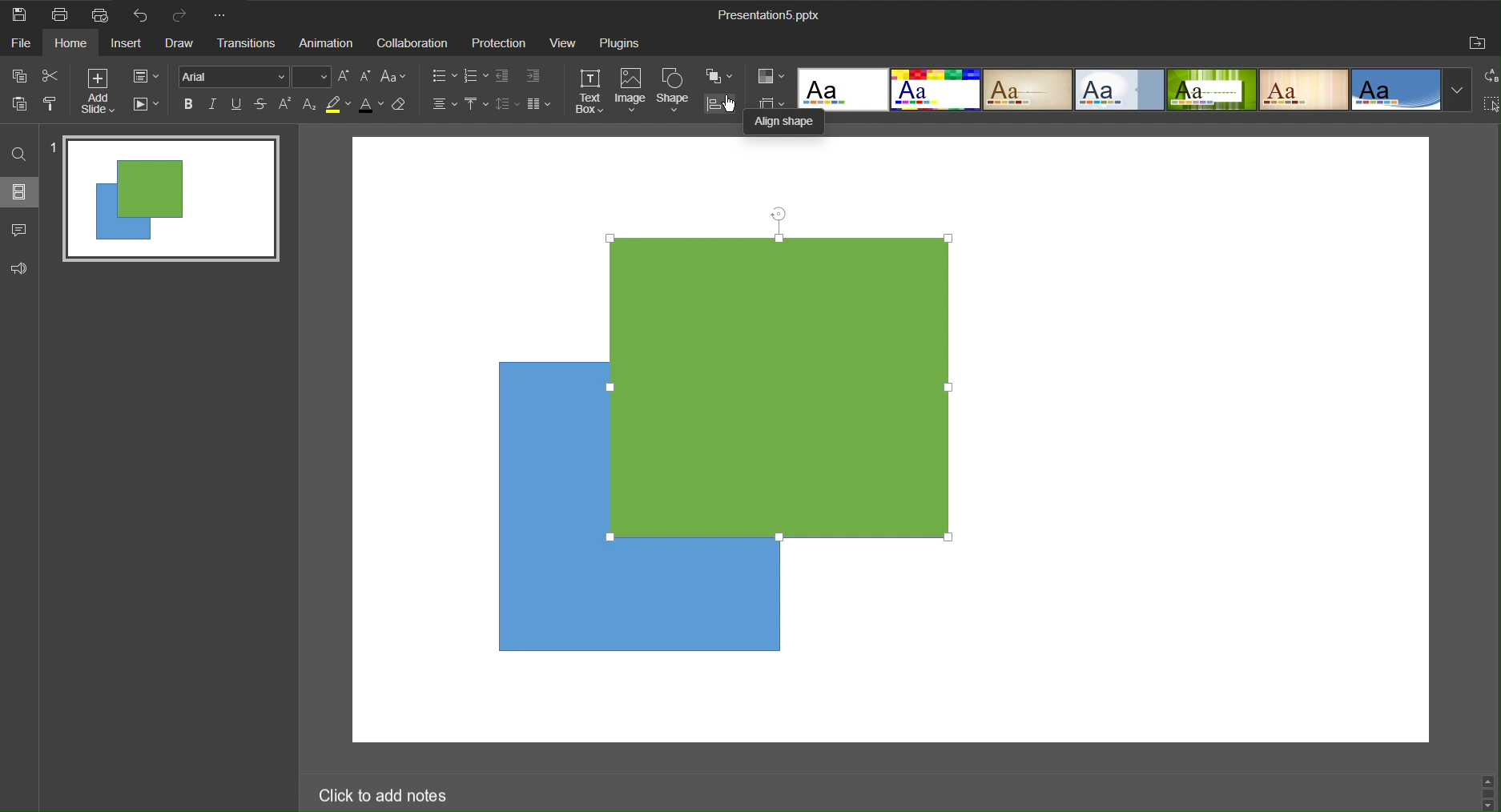 The image size is (1501, 812). I want to click on Templates, so click(1153, 89).